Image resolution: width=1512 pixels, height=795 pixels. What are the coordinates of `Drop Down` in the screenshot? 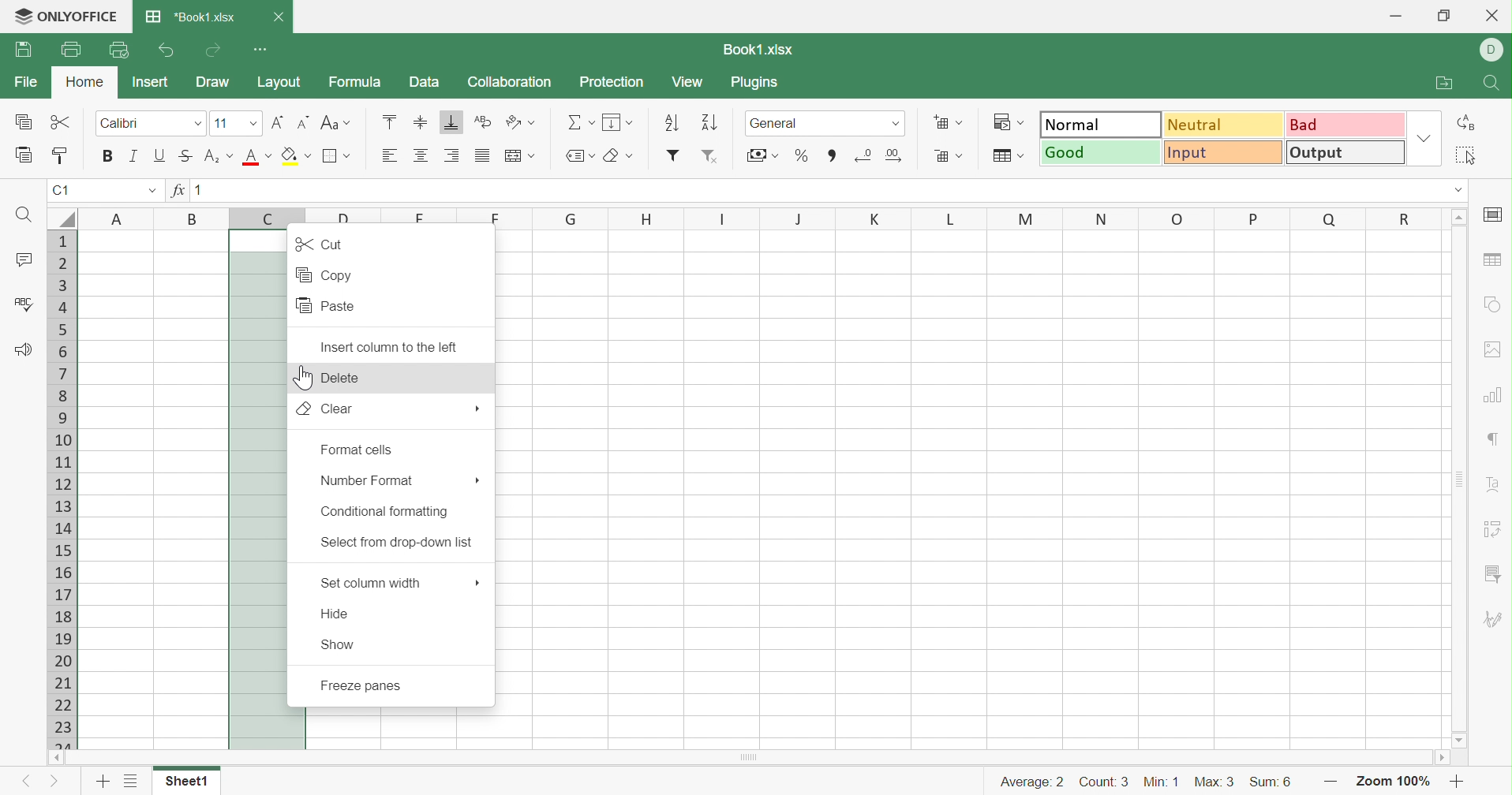 It's located at (200, 124).